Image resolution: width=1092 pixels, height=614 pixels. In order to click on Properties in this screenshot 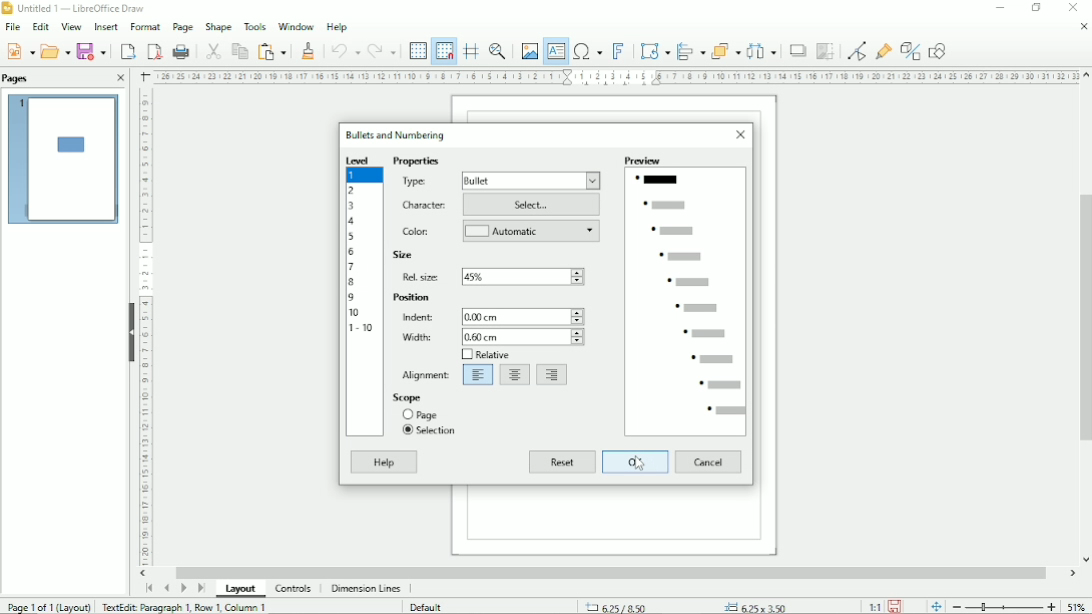, I will do `click(416, 162)`.